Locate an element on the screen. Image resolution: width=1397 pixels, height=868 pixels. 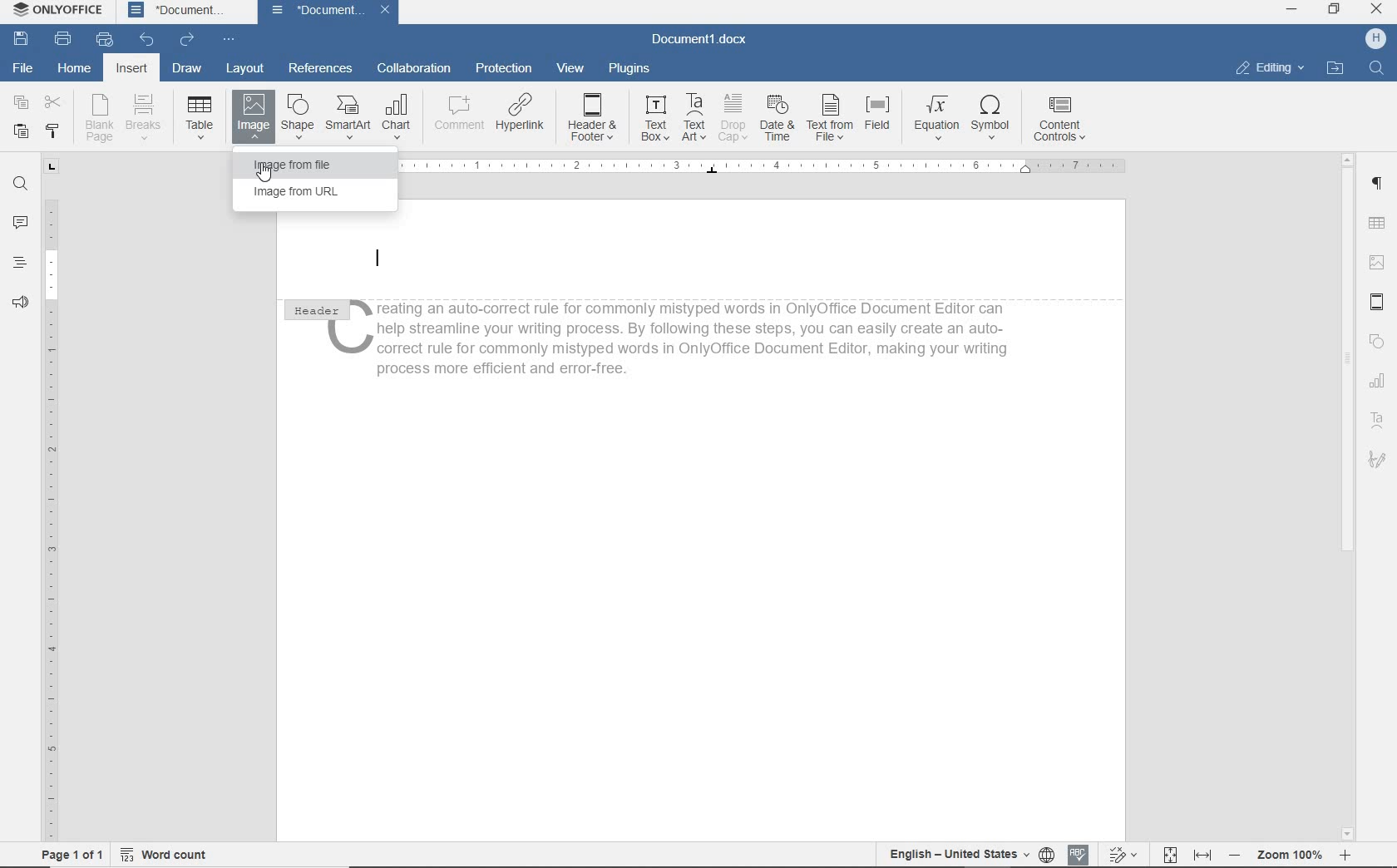
TEXT ART is located at coordinates (694, 121).